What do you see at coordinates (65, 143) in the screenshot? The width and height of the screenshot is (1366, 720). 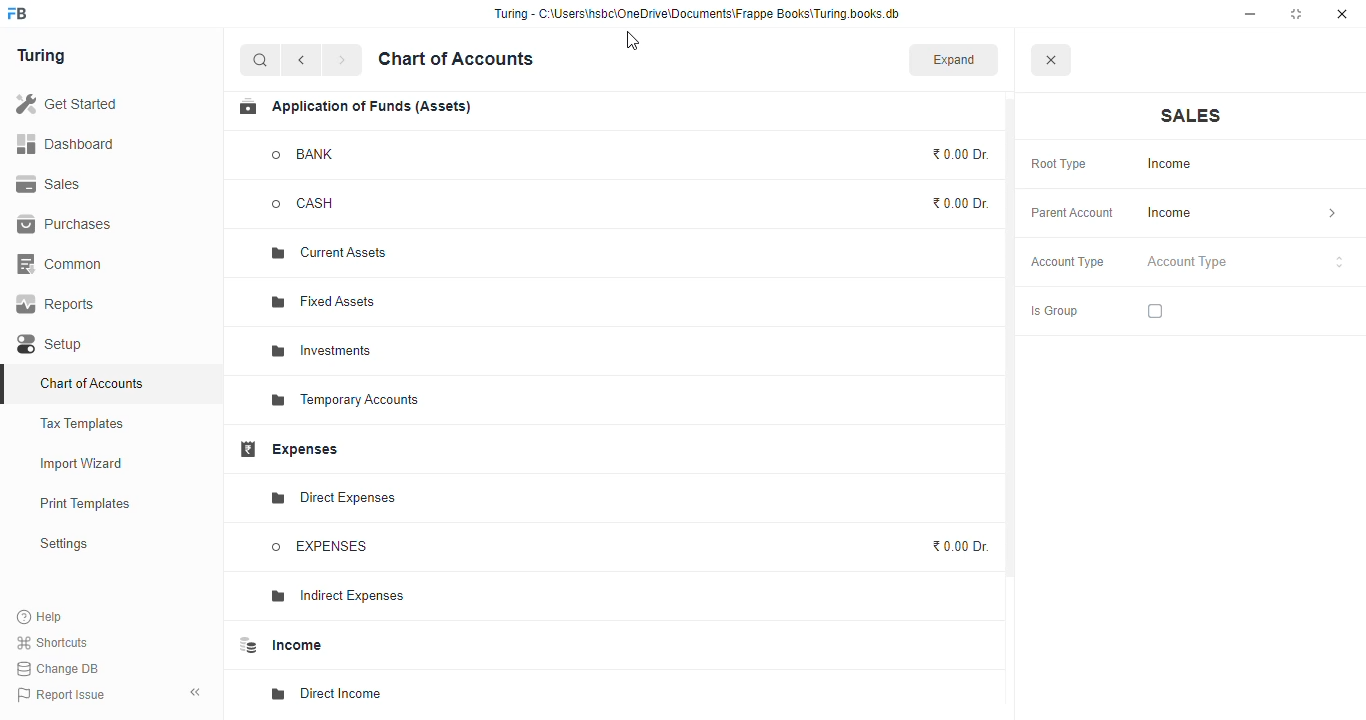 I see `dashboard` at bounding box center [65, 143].